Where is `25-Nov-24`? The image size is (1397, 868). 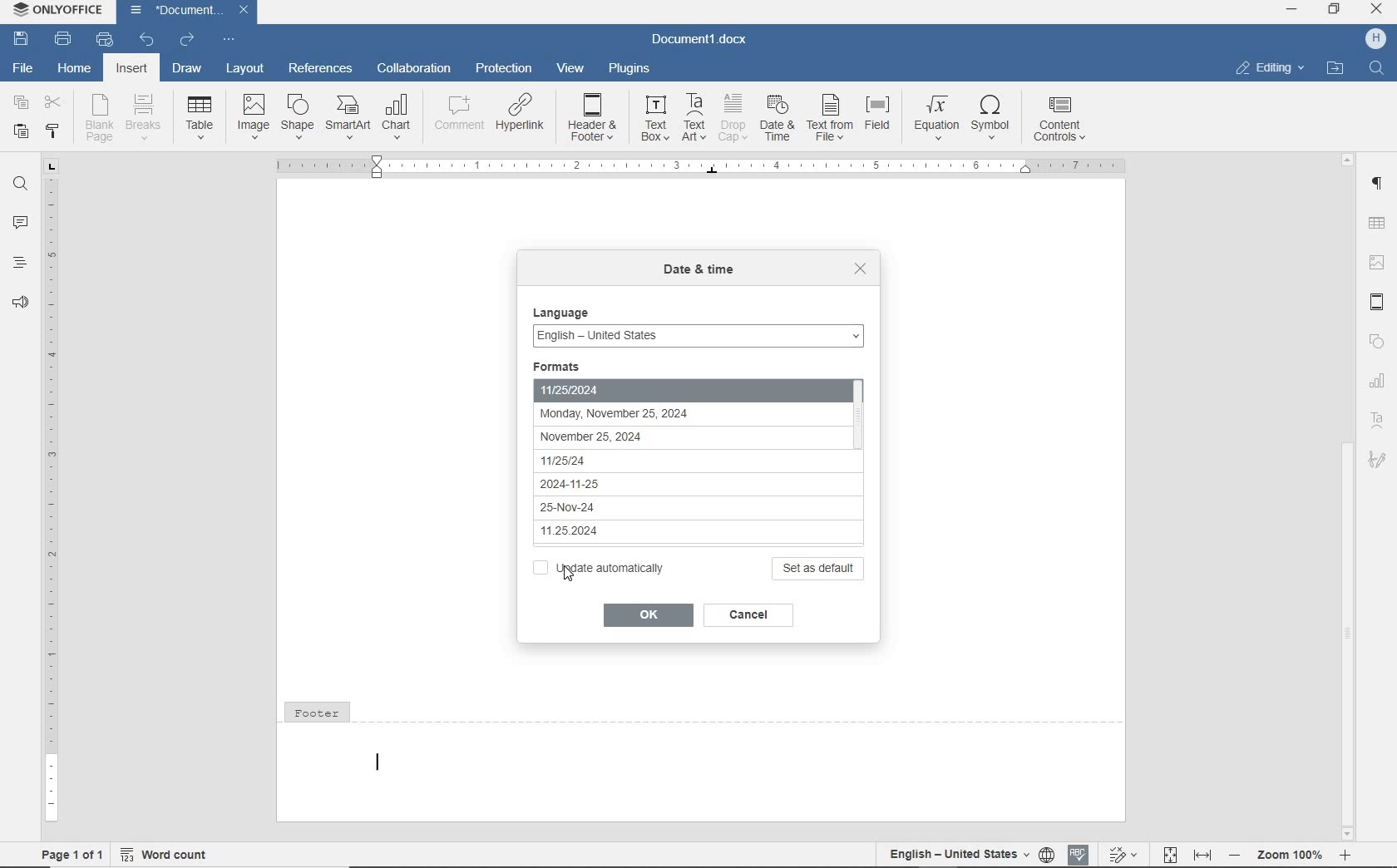 25-Nov-24 is located at coordinates (634, 508).